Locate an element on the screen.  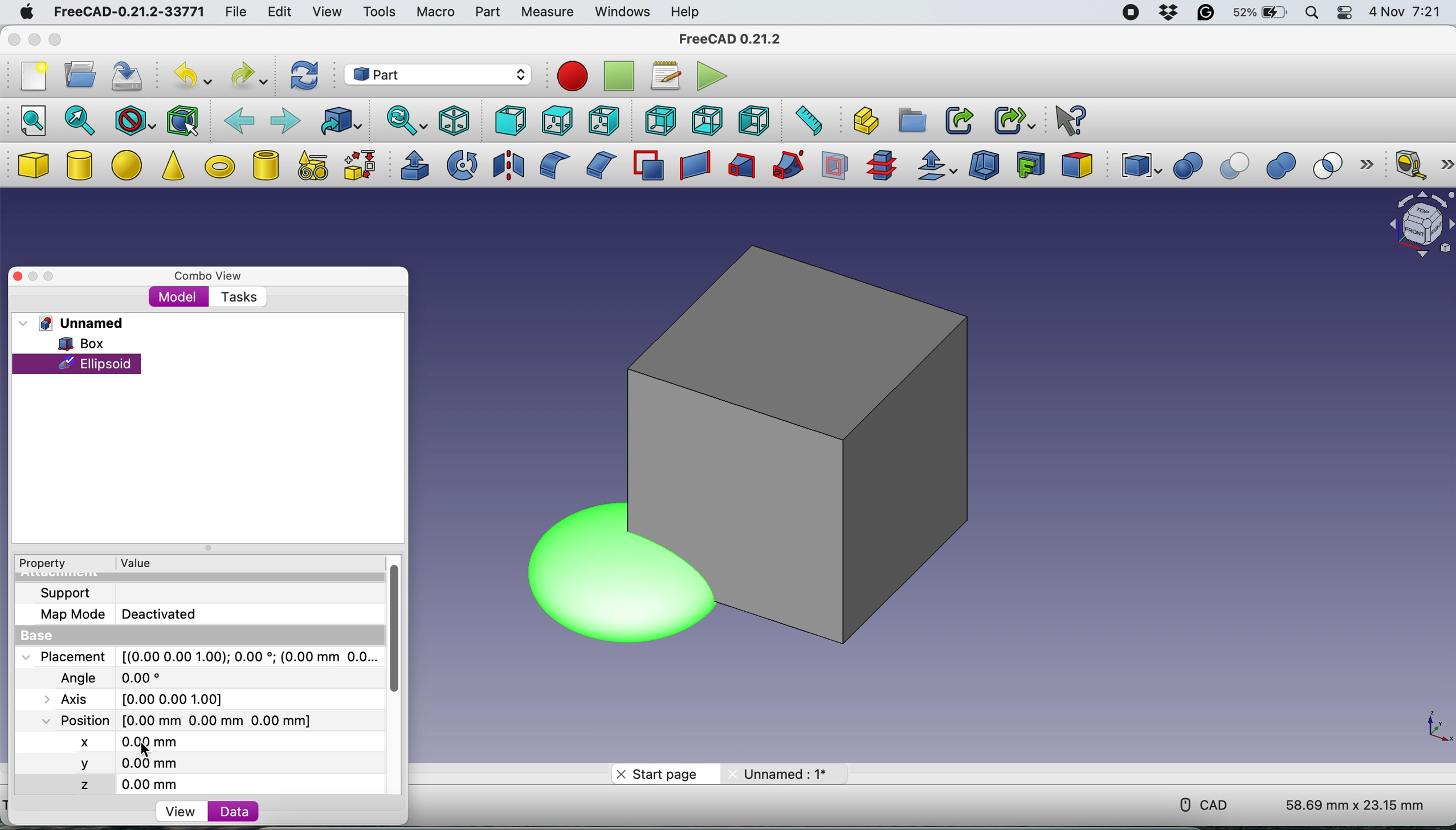
left is located at coordinates (756, 120).